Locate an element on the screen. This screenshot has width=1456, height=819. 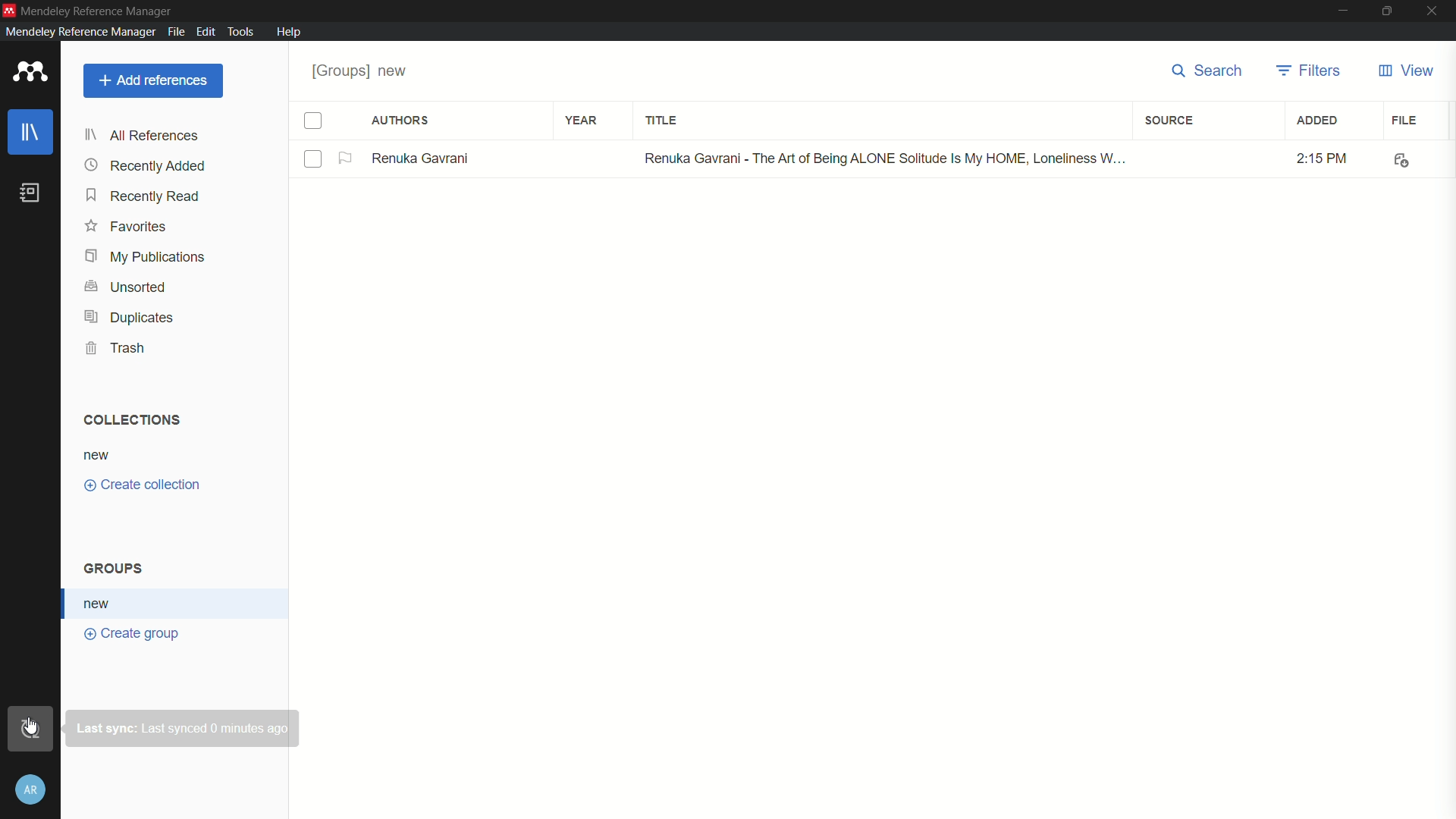
Mendeley Reference Manager is located at coordinates (102, 10).